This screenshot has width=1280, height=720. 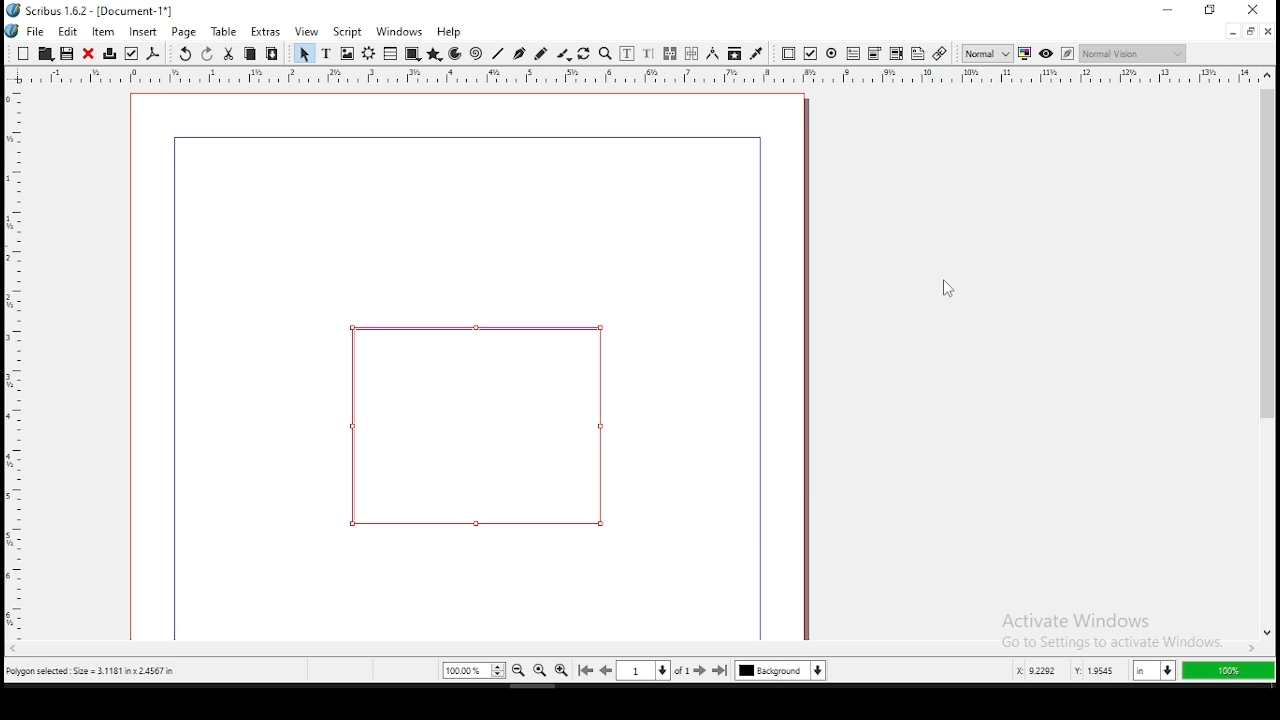 What do you see at coordinates (734, 54) in the screenshot?
I see `copy item properties` at bounding box center [734, 54].